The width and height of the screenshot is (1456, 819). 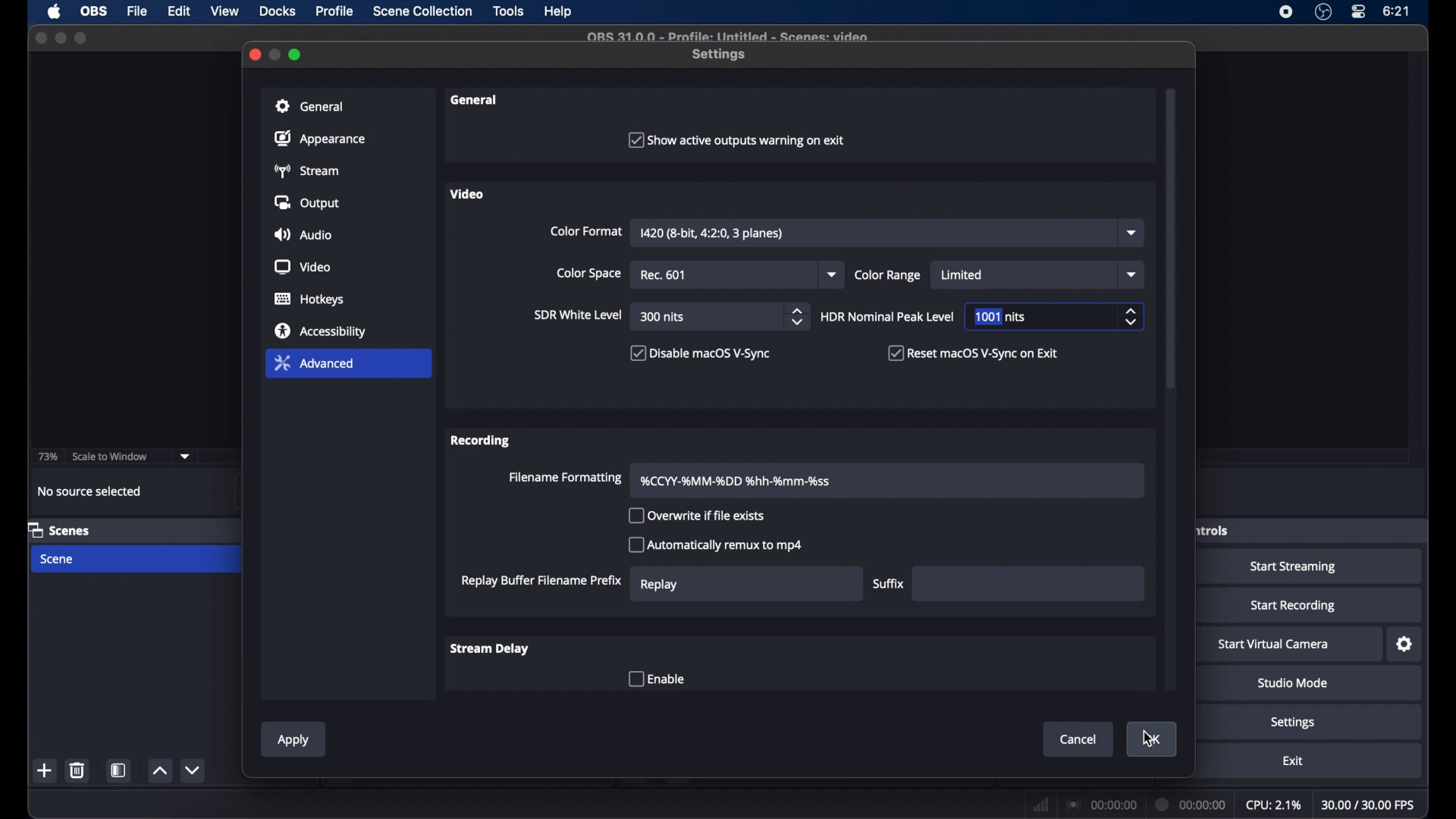 I want to click on accessibility, so click(x=322, y=330).